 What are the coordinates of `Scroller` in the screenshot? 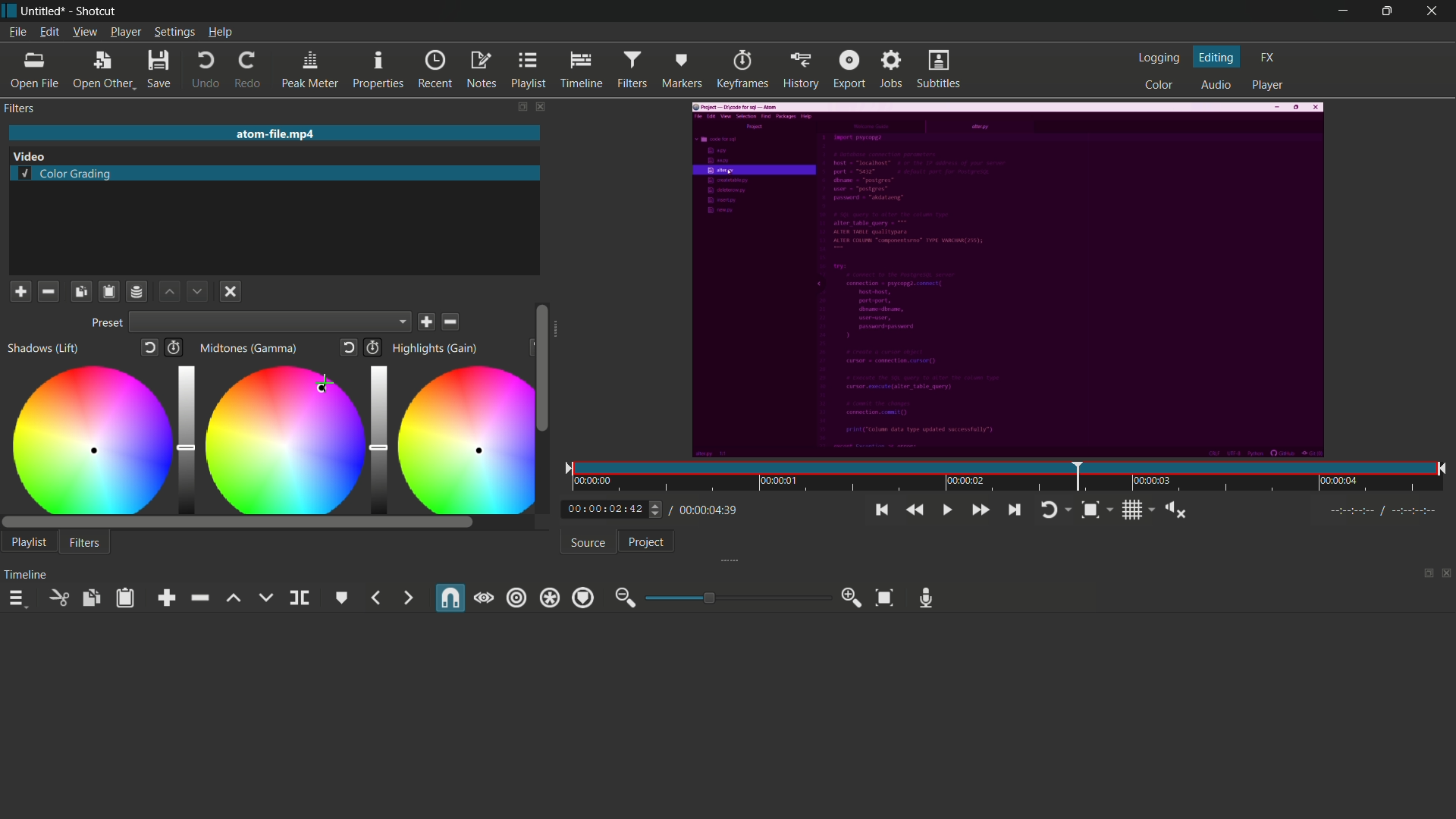 It's located at (545, 367).